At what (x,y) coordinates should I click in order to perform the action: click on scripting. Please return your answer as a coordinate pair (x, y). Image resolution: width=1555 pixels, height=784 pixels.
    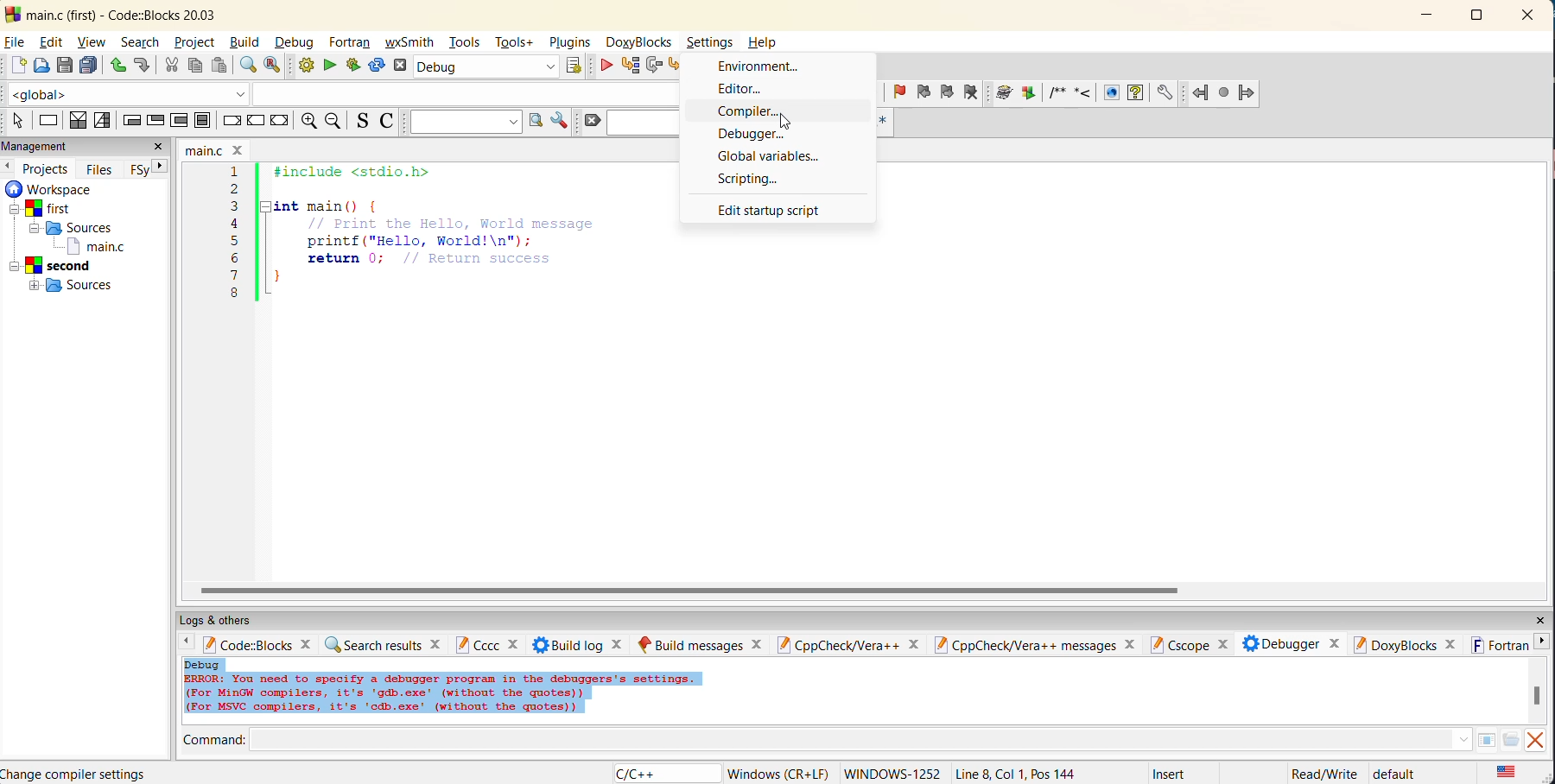
    Looking at the image, I should click on (752, 181).